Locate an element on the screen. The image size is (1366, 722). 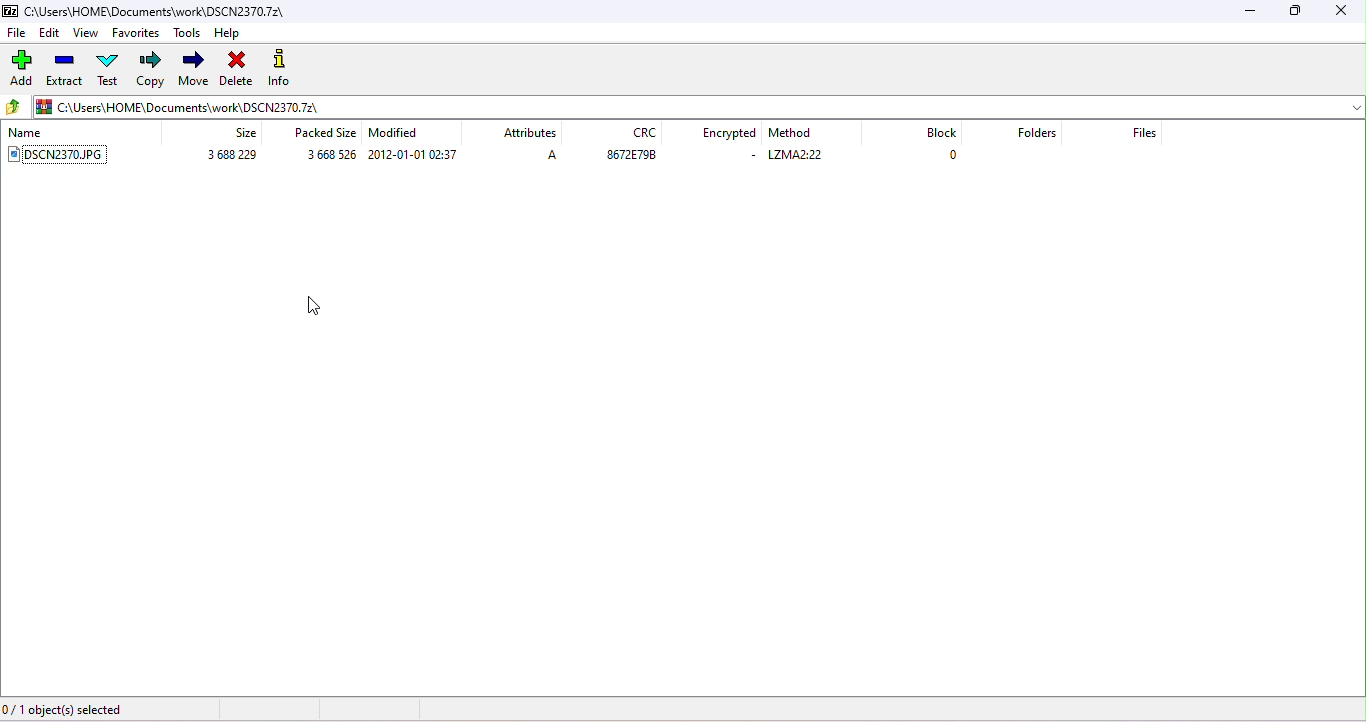
test is located at coordinates (108, 71).